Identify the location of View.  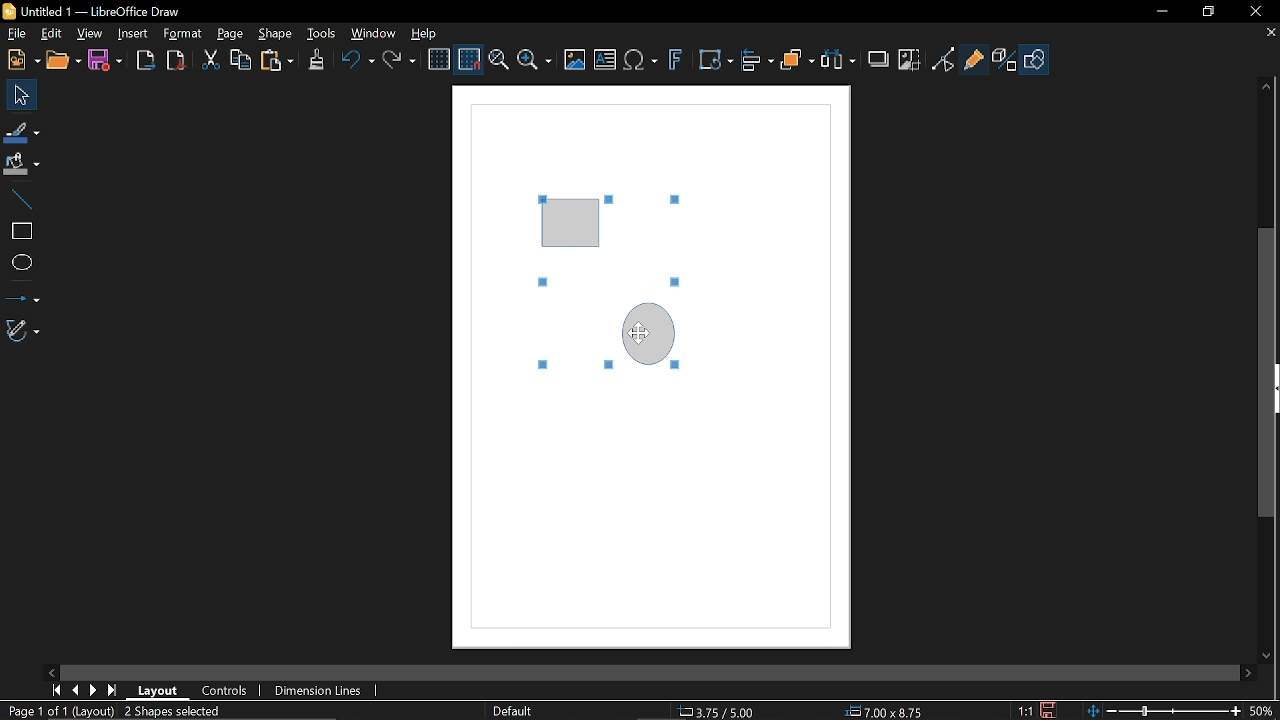
(89, 34).